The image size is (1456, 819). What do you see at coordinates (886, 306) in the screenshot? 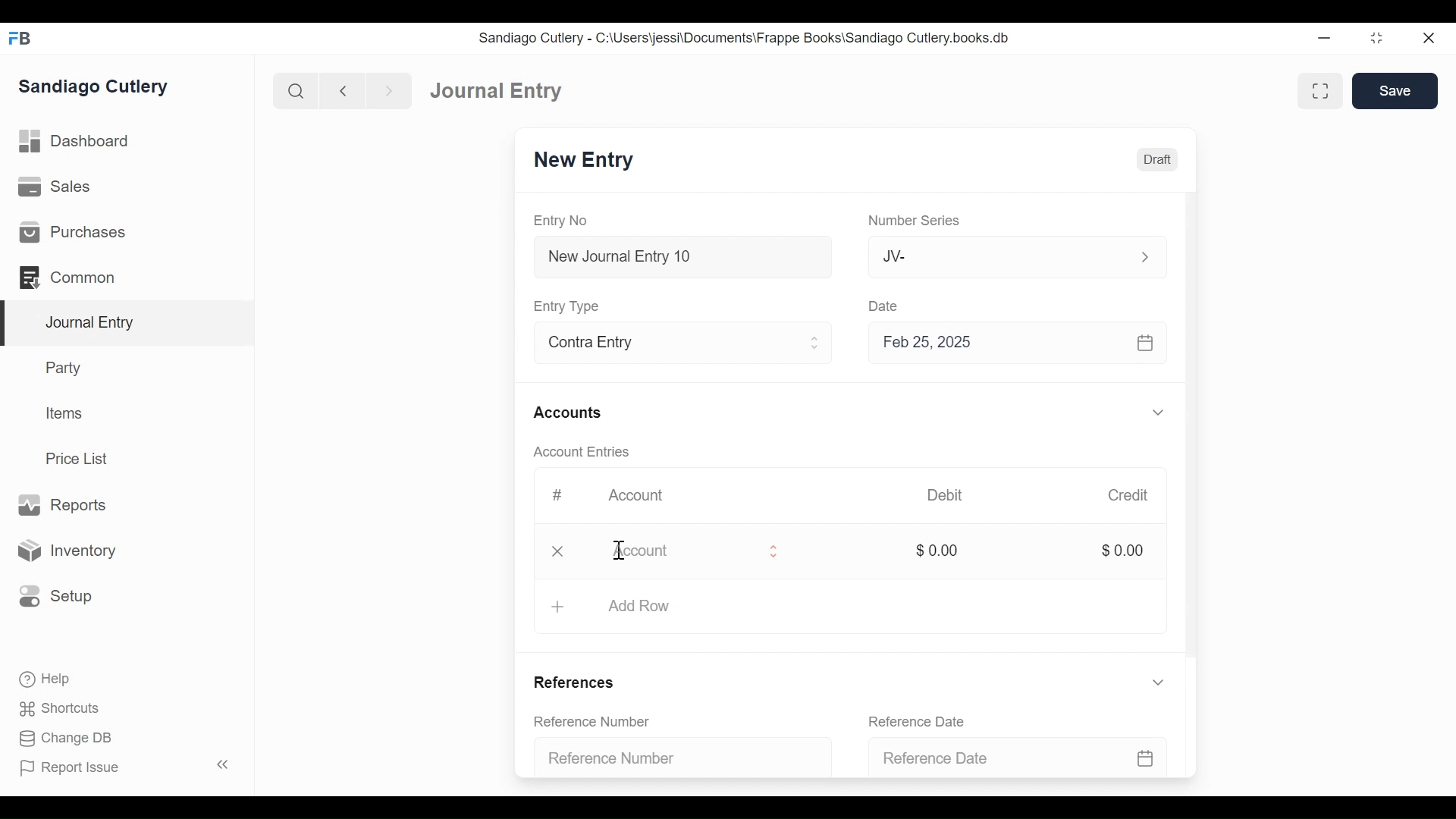
I see `Date` at bounding box center [886, 306].